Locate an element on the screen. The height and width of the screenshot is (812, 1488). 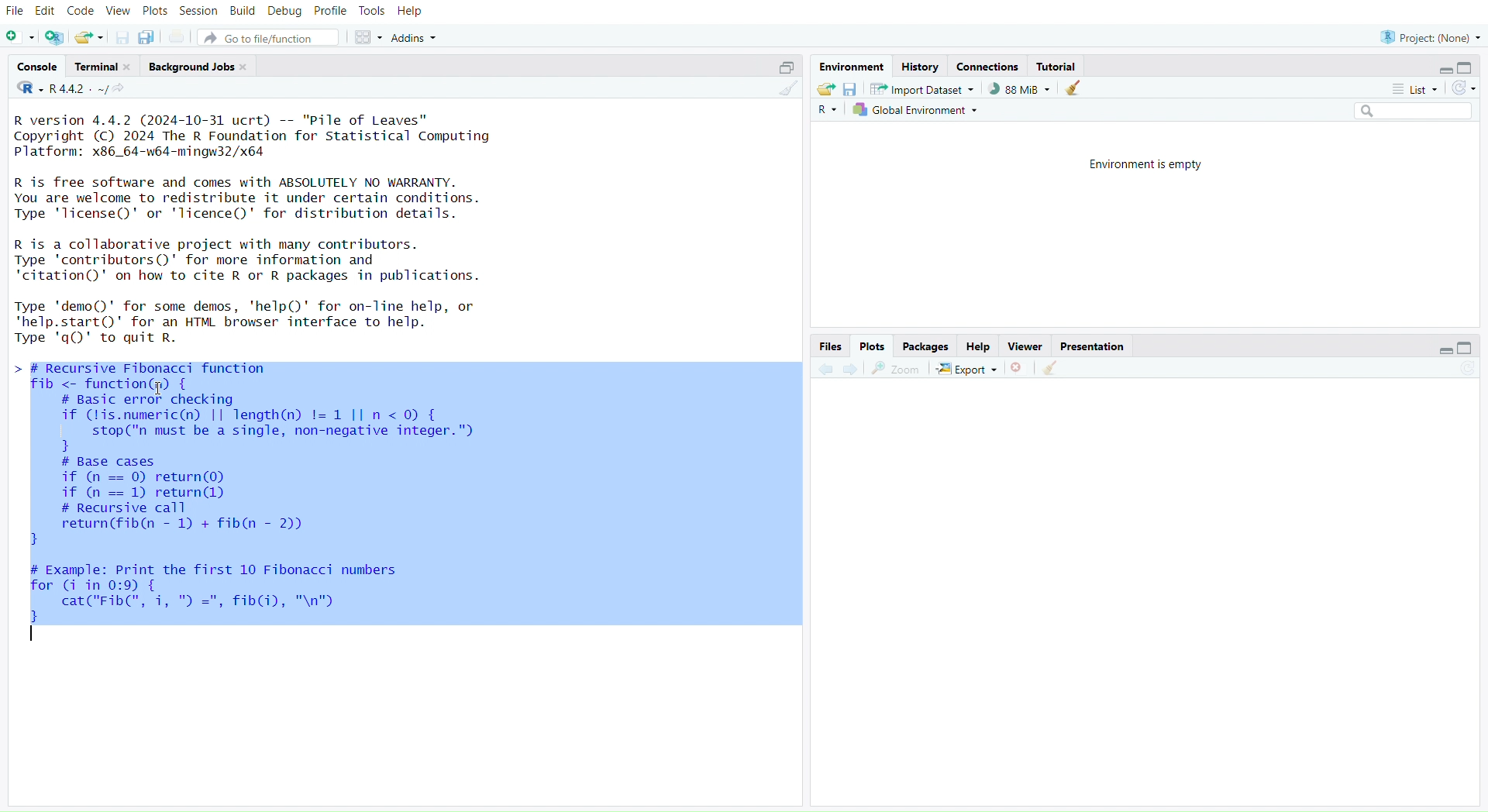
workspace panes is located at coordinates (367, 38).